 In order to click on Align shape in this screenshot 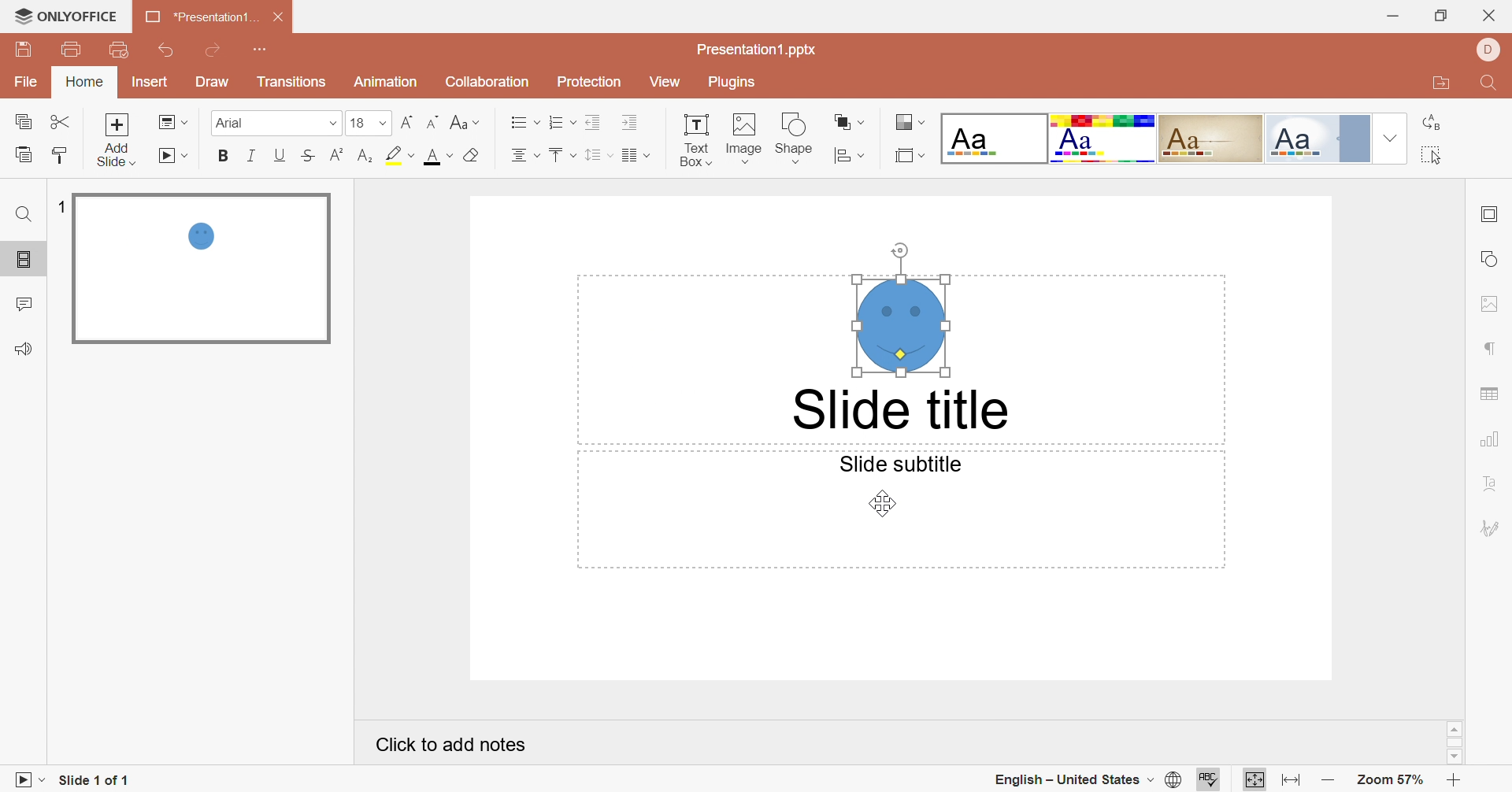, I will do `click(853, 156)`.